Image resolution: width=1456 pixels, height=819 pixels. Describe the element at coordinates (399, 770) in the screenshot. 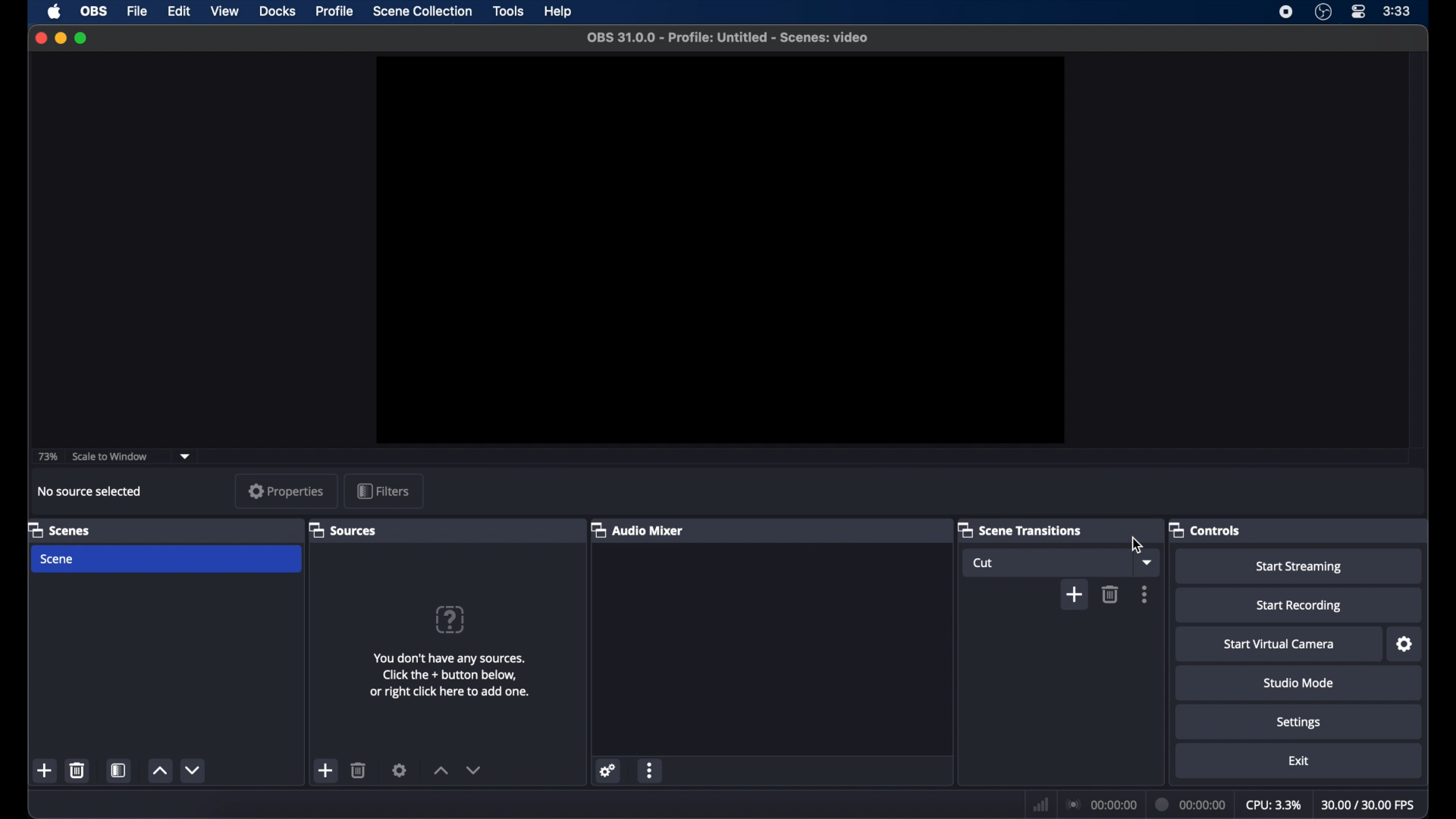

I see `settings` at that location.